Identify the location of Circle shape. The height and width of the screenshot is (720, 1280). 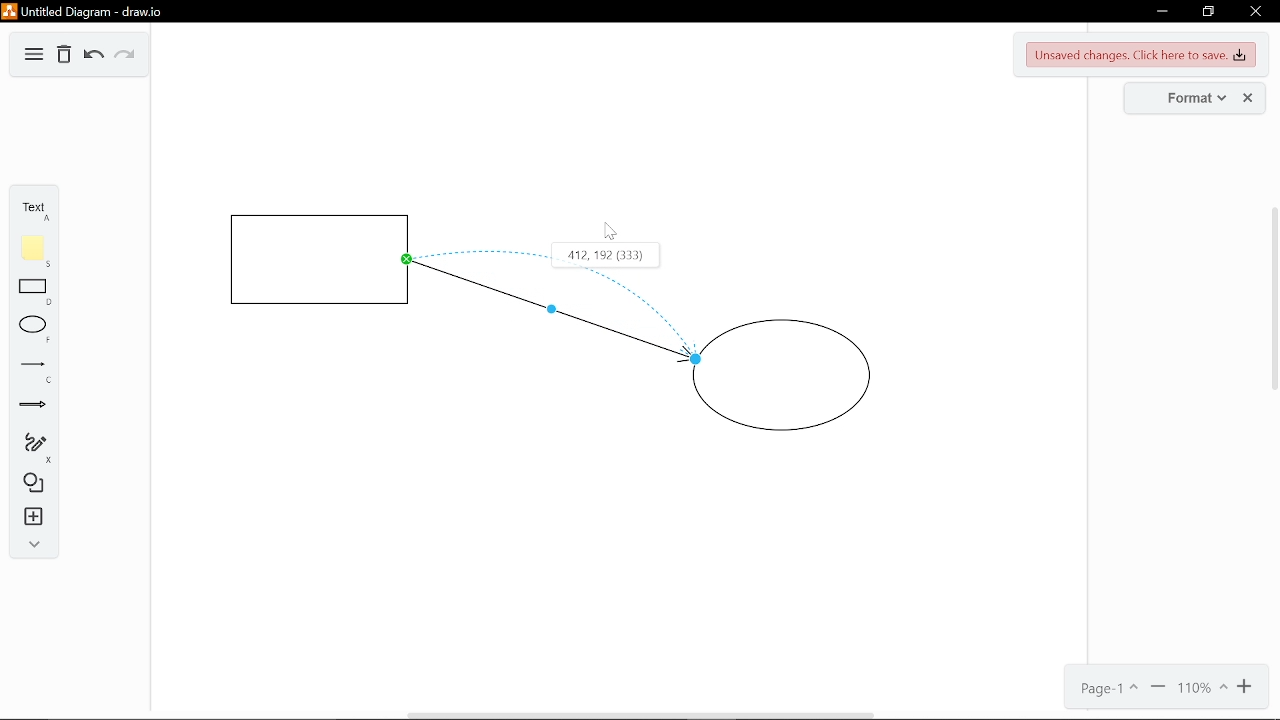
(787, 375).